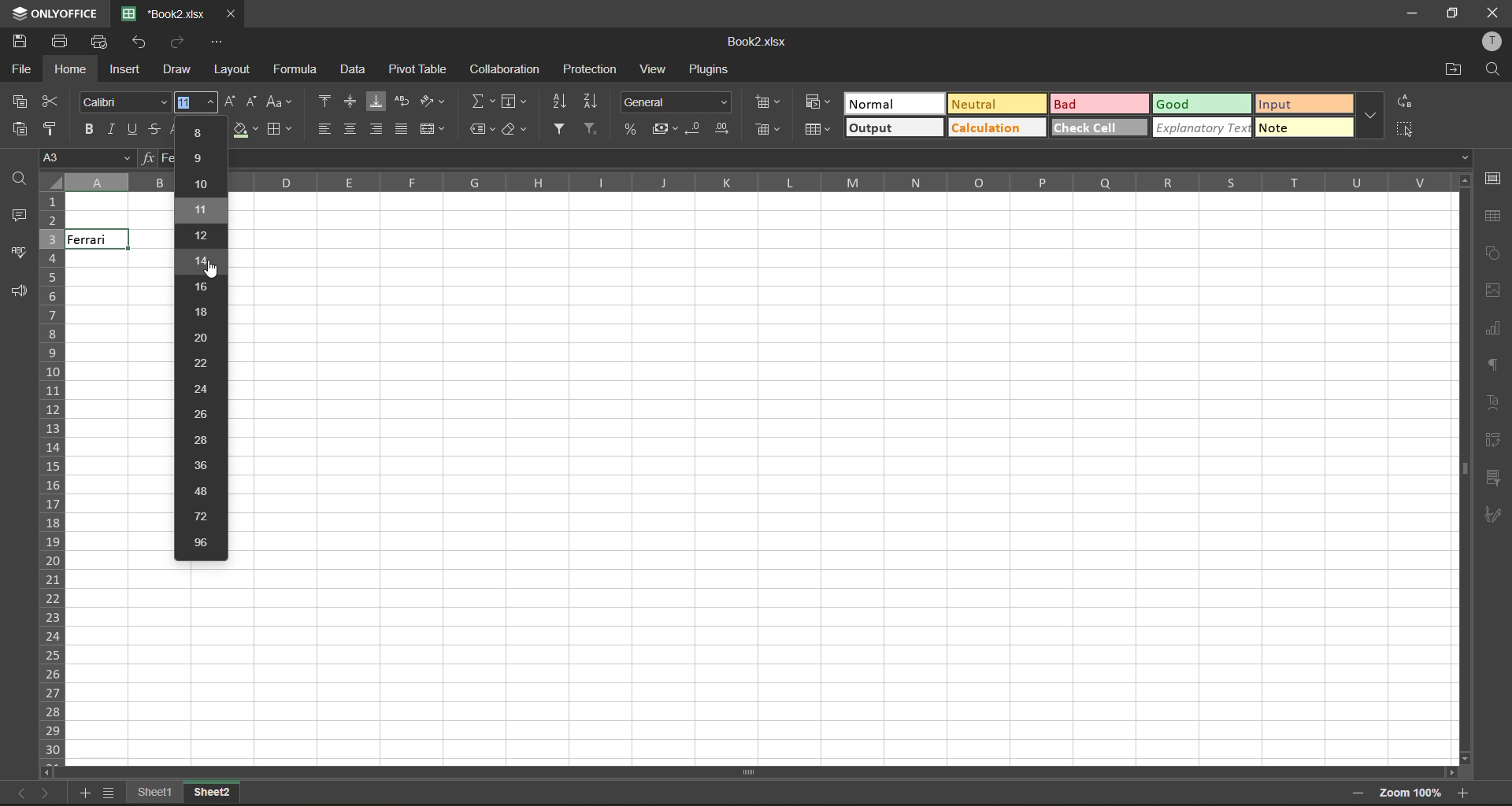 This screenshot has width=1512, height=806. Describe the element at coordinates (725, 128) in the screenshot. I see `increase decimal` at that location.